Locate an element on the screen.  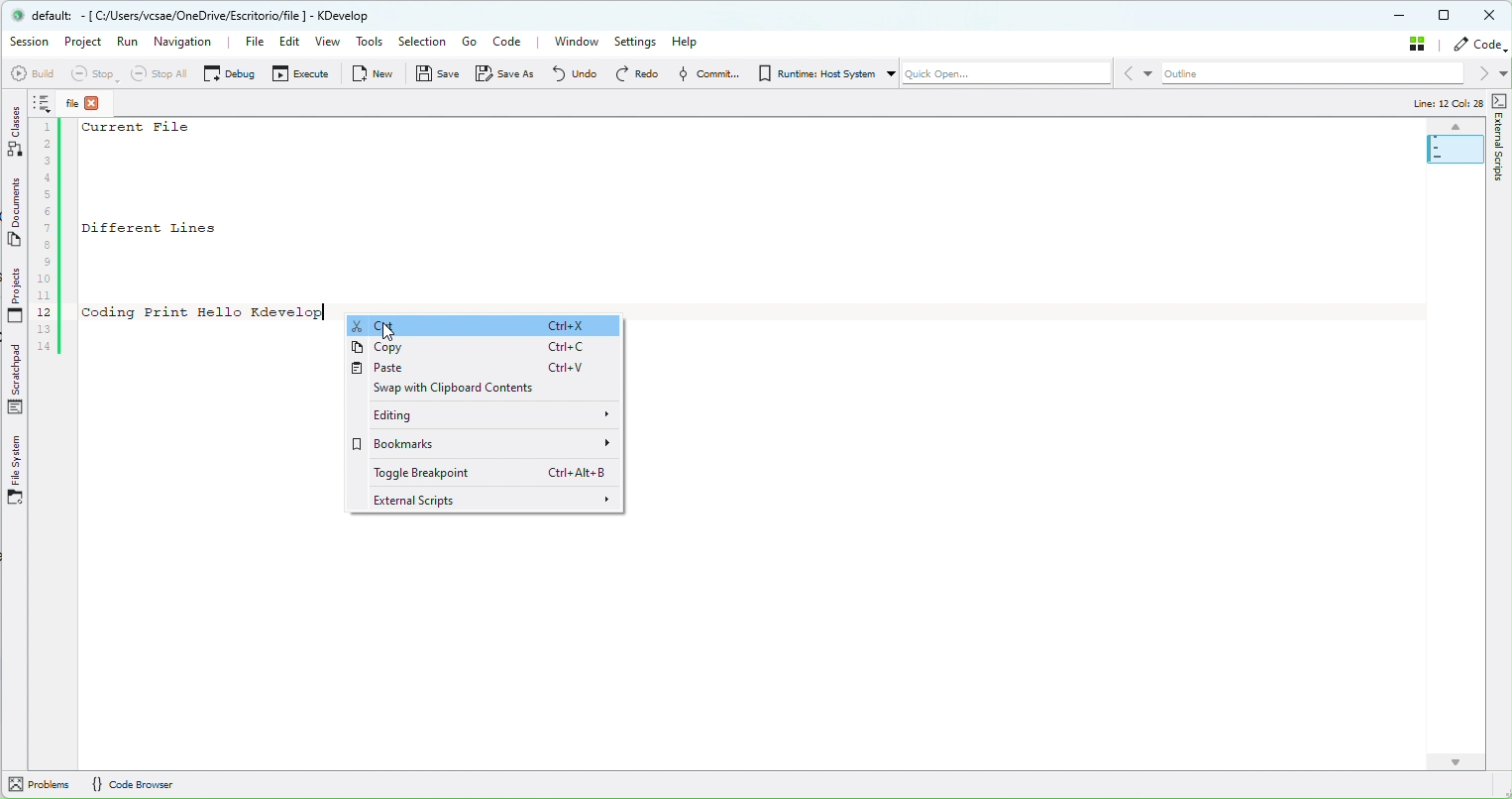
Quickopen is located at coordinates (1005, 76).